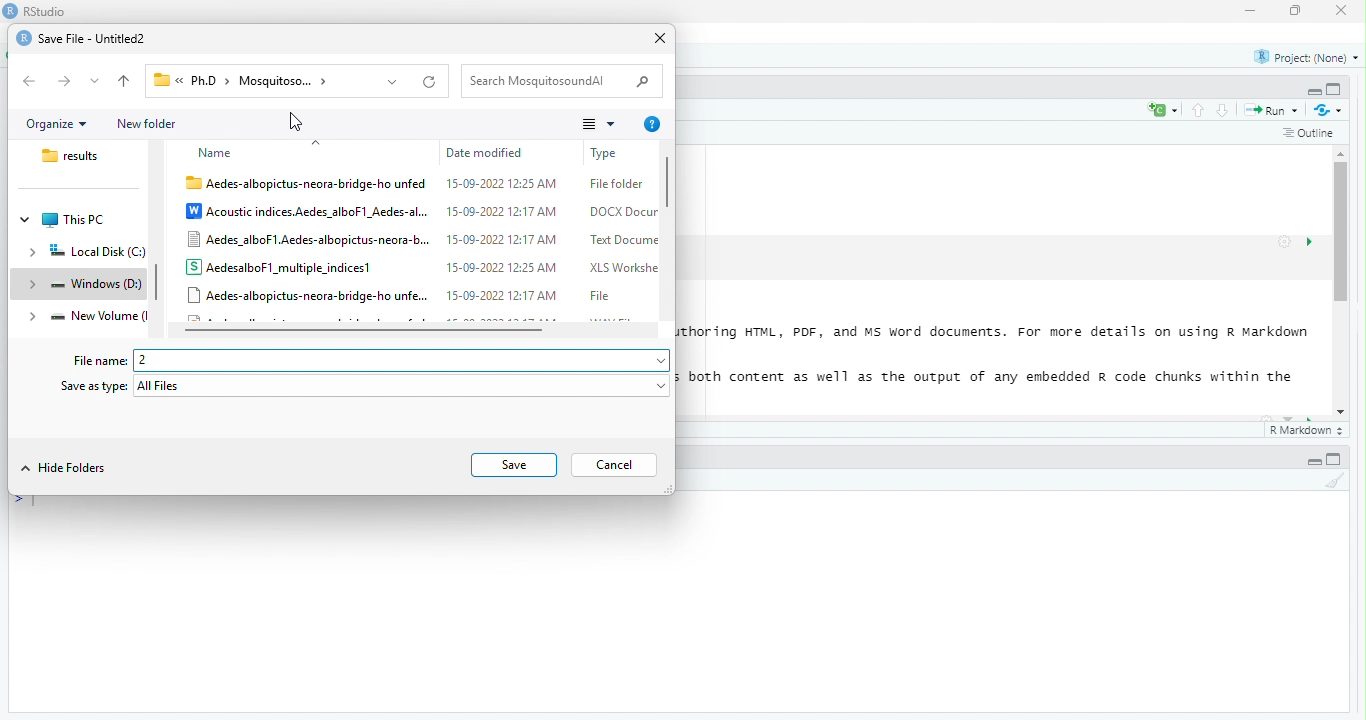  I want to click on Collapse, so click(1314, 462).